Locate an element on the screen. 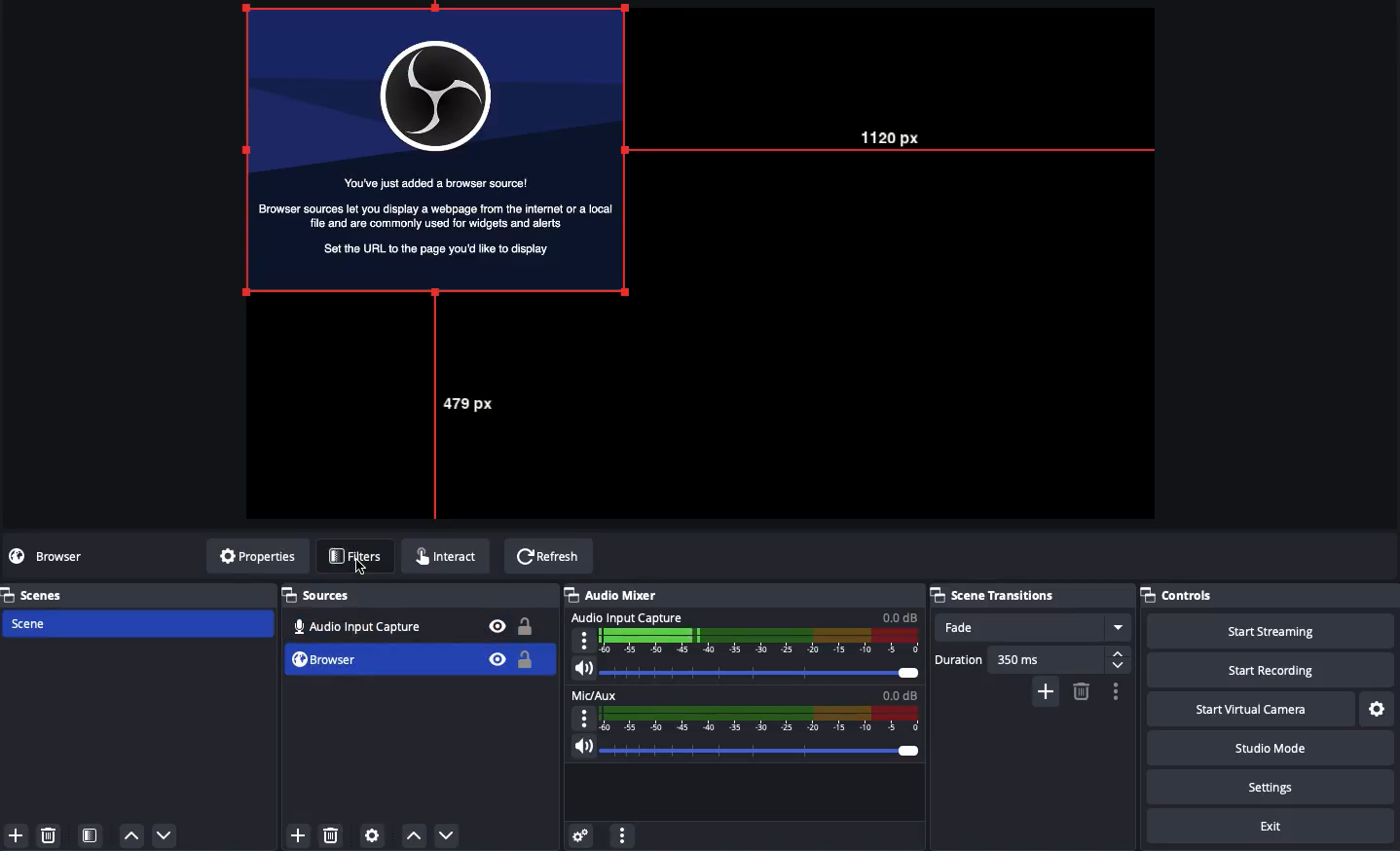 This screenshot has height=851, width=1400. Source preferences is located at coordinates (374, 834).